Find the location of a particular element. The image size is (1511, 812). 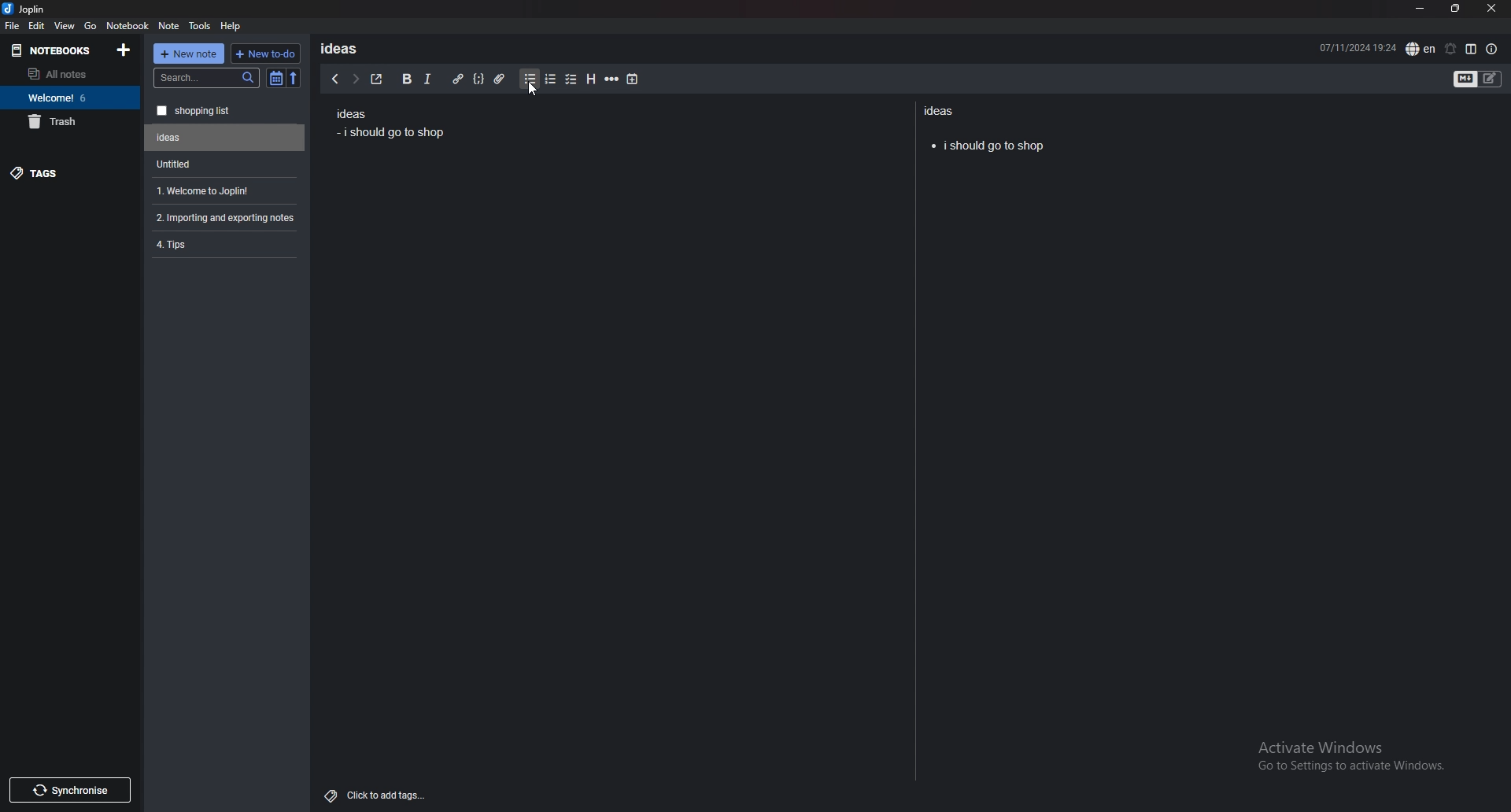

trash is located at coordinates (70, 121).